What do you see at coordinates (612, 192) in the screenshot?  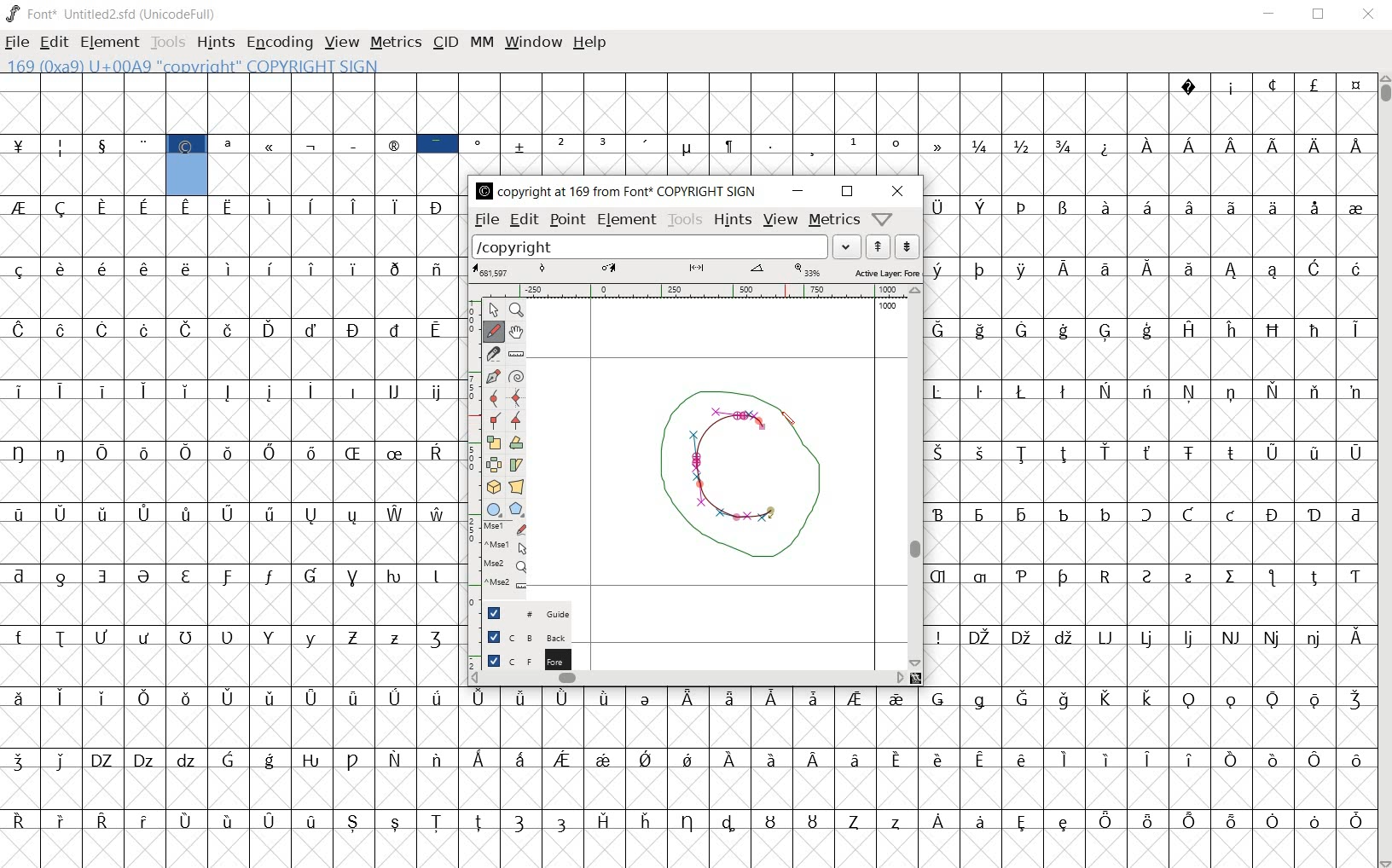 I see `COPYRIGHT AT 169 FROM FONT COPYRIGHT SIGN` at bounding box center [612, 192].